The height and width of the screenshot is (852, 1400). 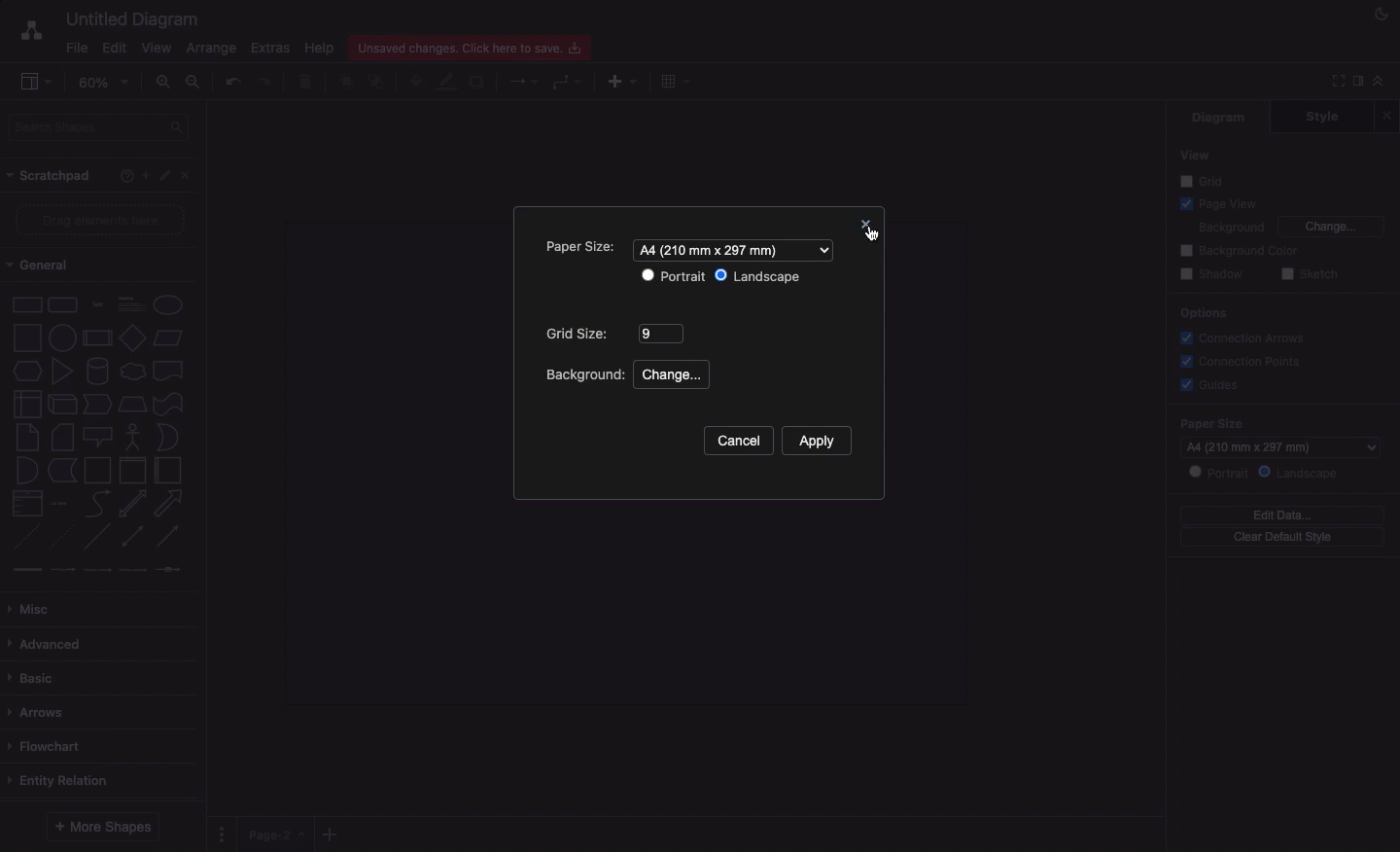 I want to click on Search shapes, so click(x=98, y=128).